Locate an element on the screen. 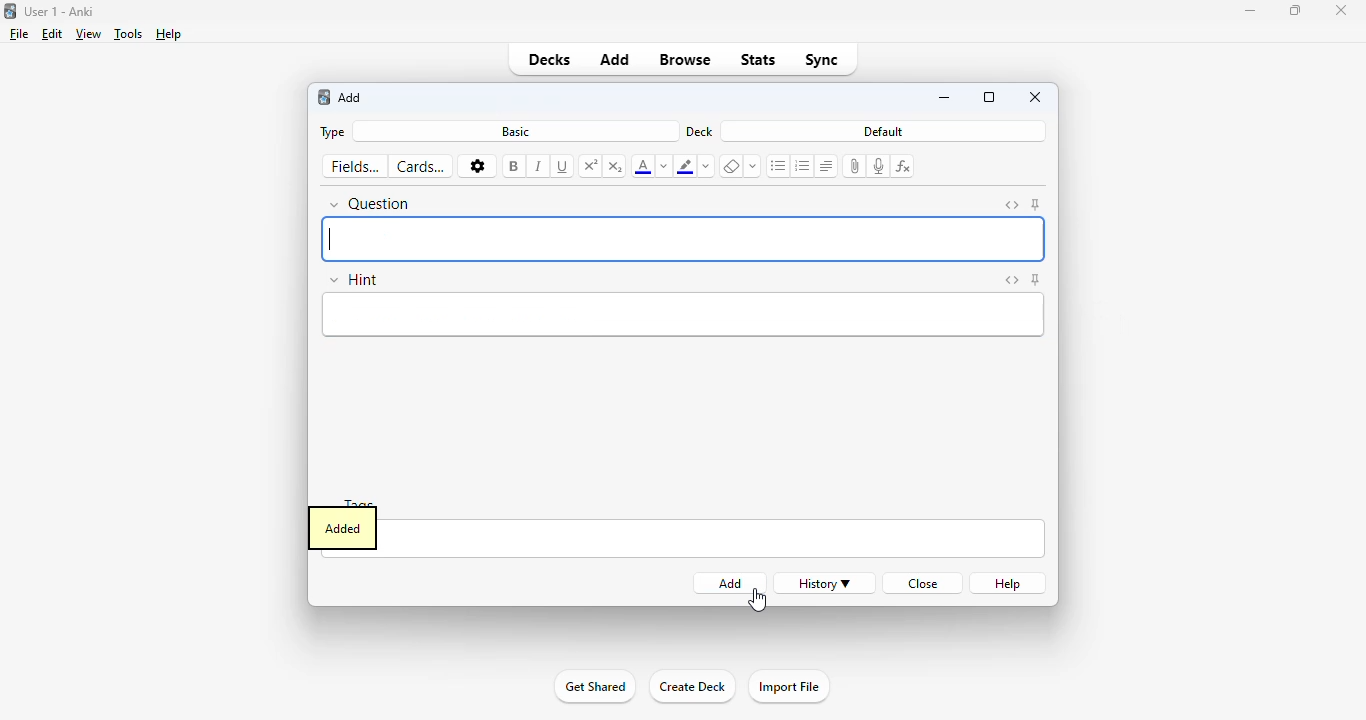  cards is located at coordinates (422, 167).